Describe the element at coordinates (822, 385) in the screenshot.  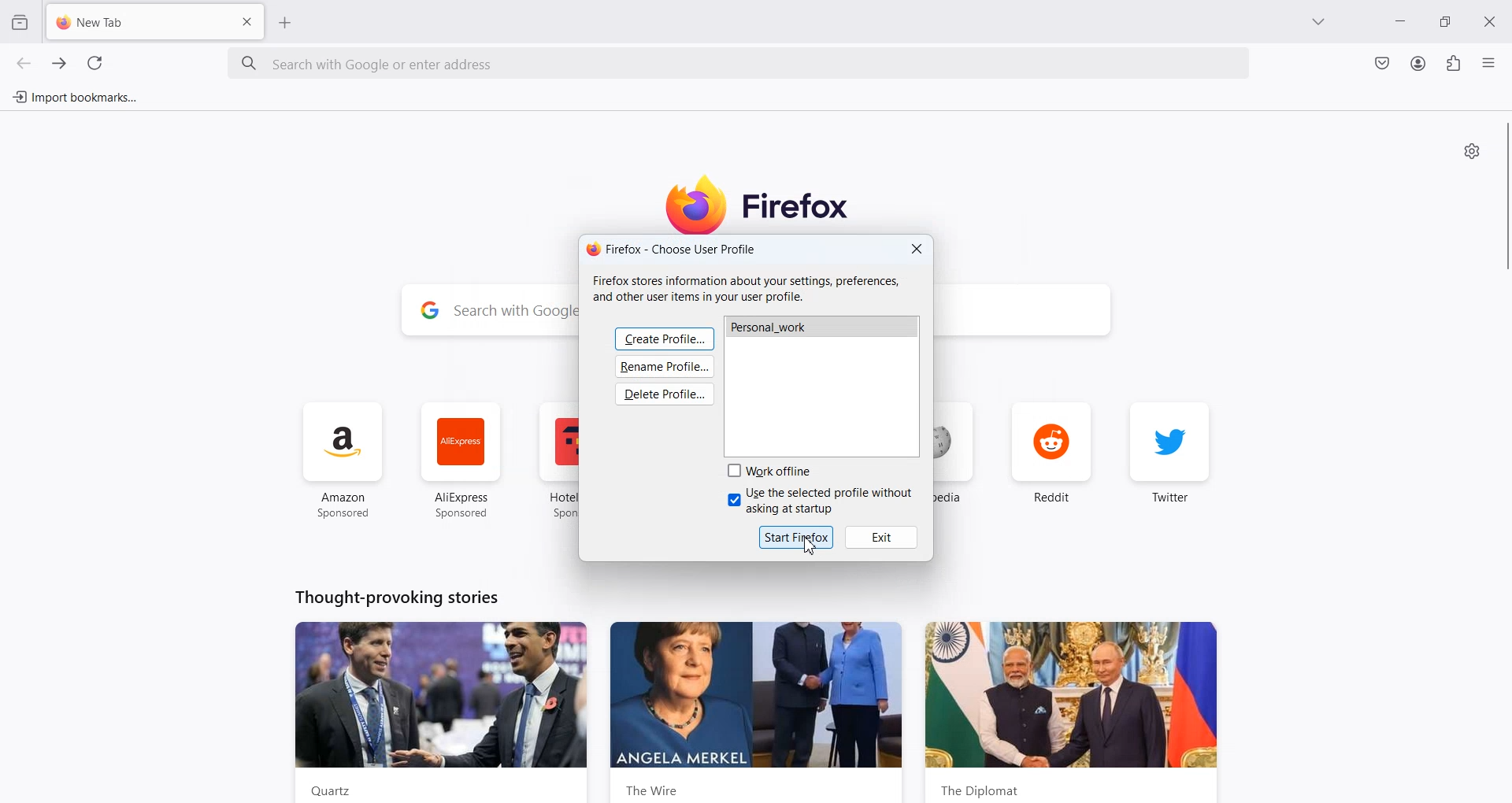
I see `File Preview: "personal_work" added` at that location.